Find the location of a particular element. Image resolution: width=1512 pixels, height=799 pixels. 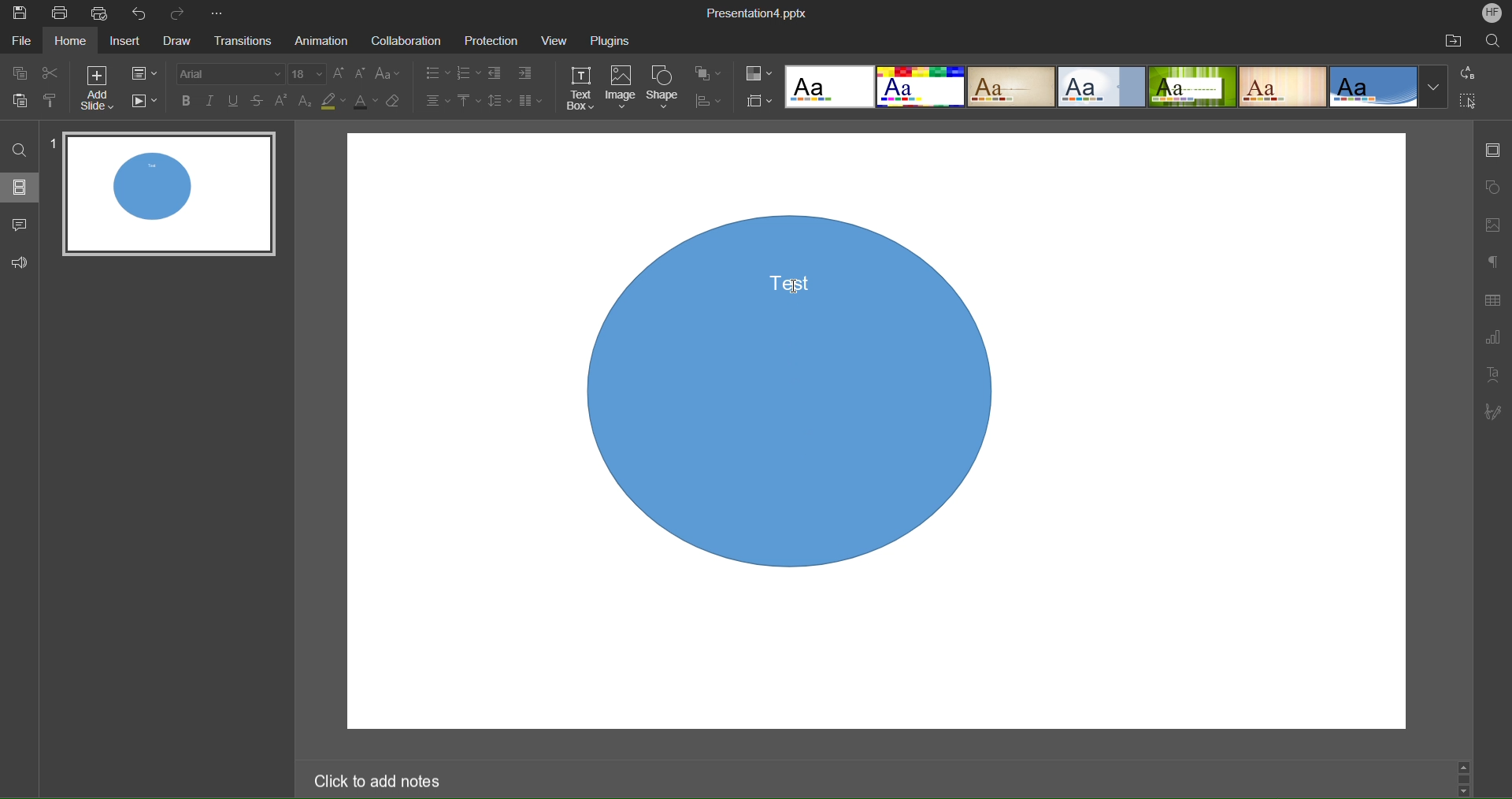

Draw is located at coordinates (179, 45).